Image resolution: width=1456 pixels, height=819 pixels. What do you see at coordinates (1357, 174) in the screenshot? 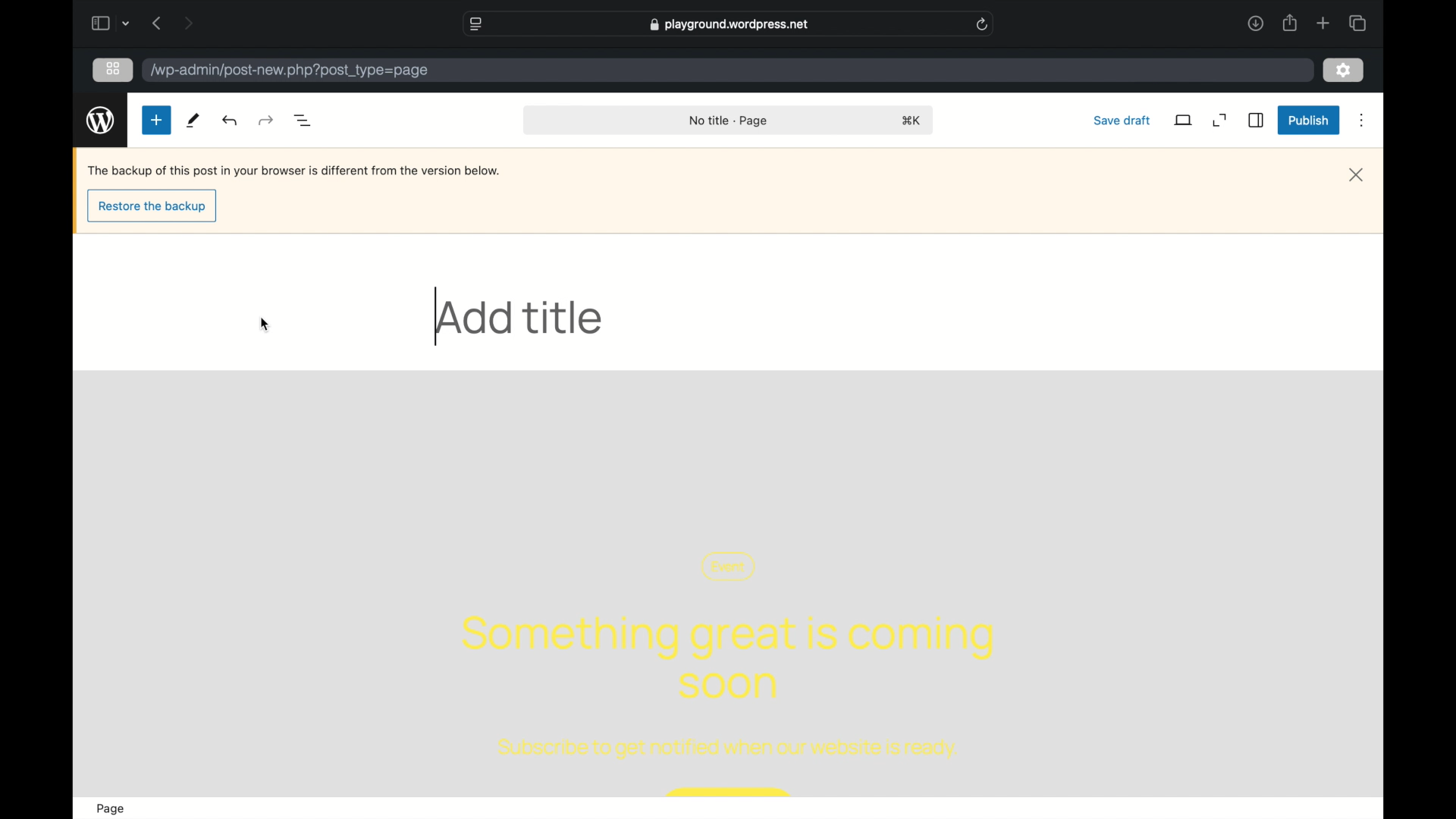
I see `close` at bounding box center [1357, 174].